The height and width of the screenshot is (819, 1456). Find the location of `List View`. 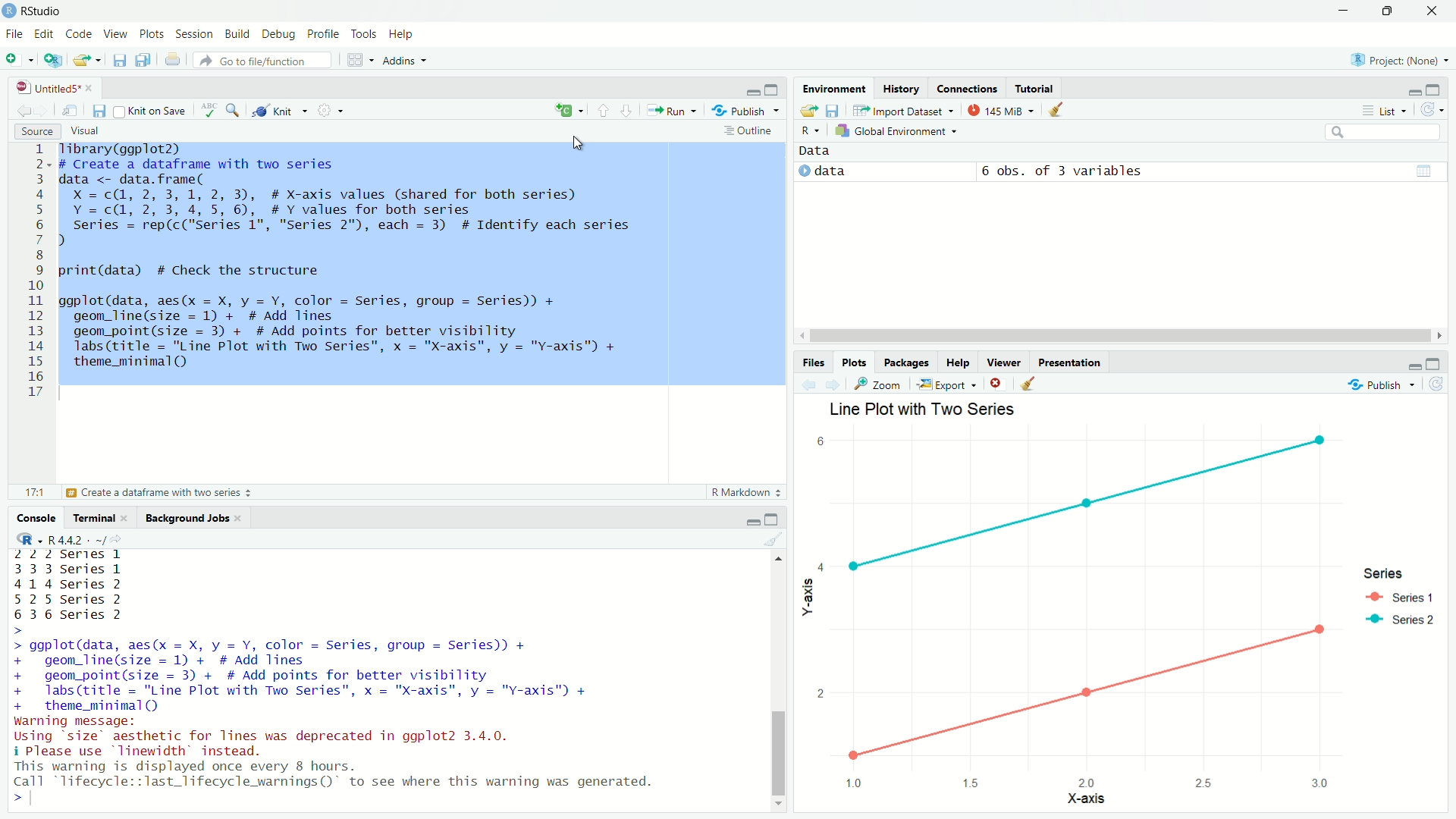

List View is located at coordinates (1382, 111).